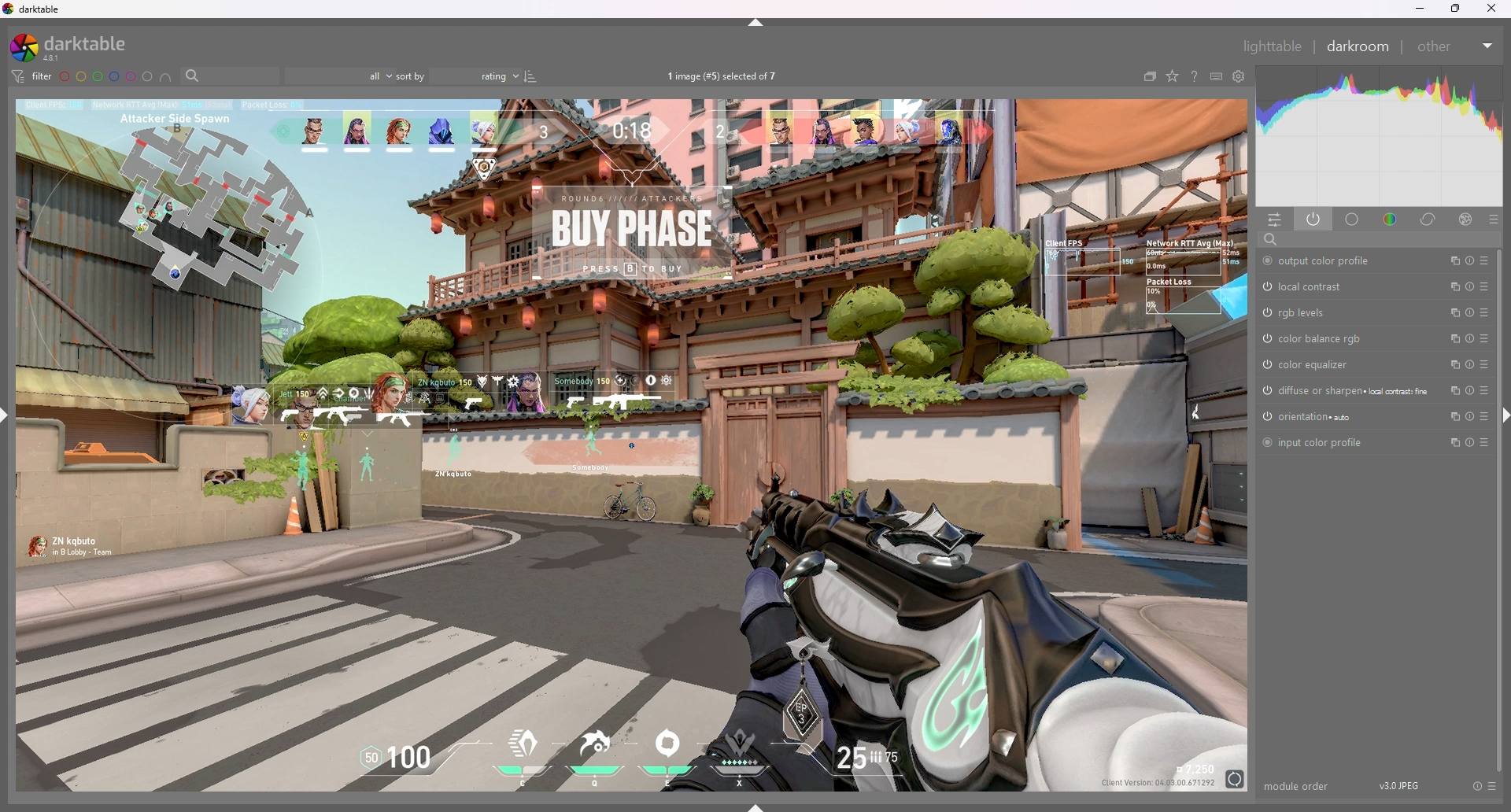 This screenshot has height=812, width=1511. What do you see at coordinates (1485, 286) in the screenshot?
I see `presets` at bounding box center [1485, 286].